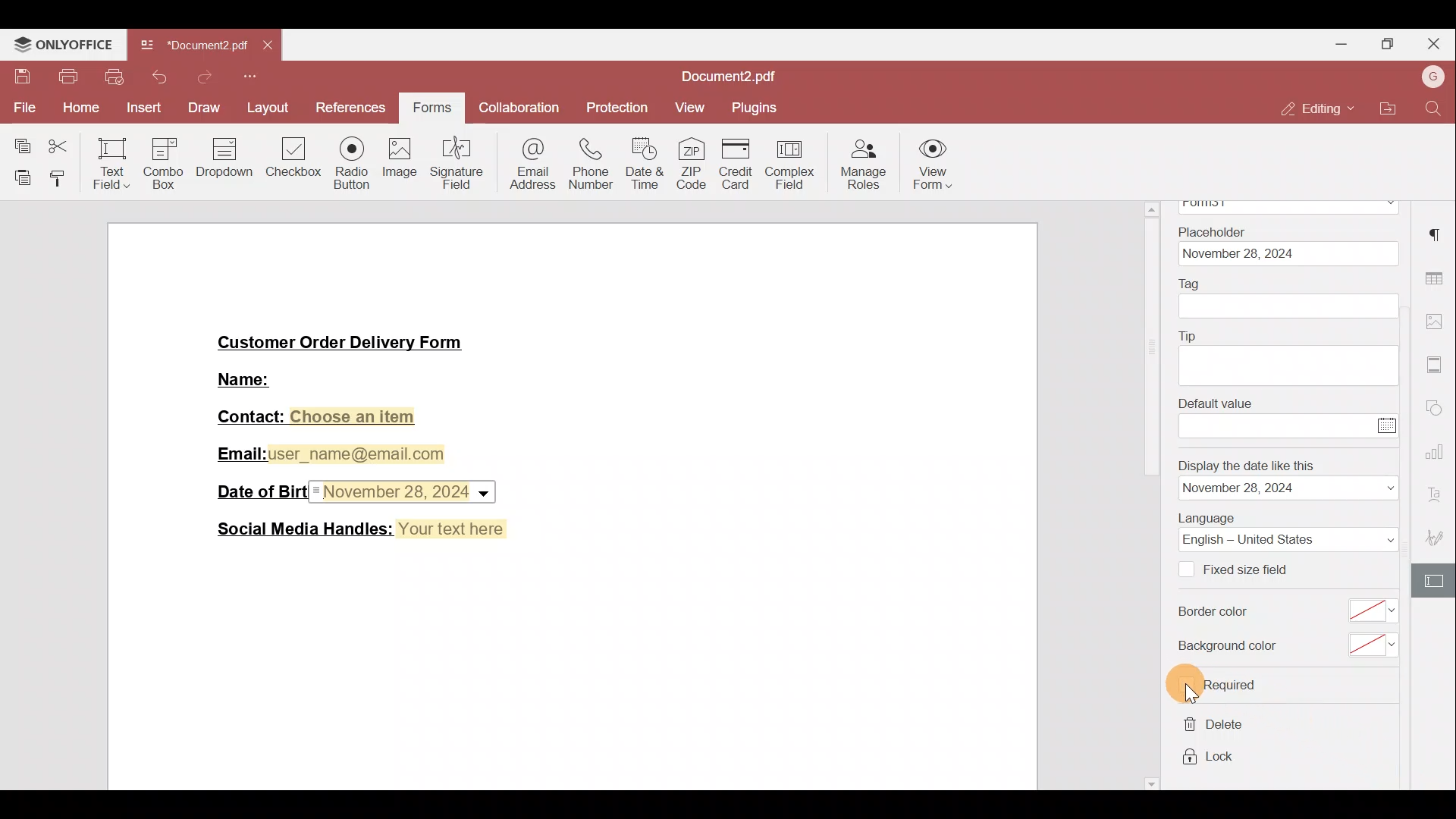 The width and height of the screenshot is (1456, 819). I want to click on lock, so click(1210, 756).